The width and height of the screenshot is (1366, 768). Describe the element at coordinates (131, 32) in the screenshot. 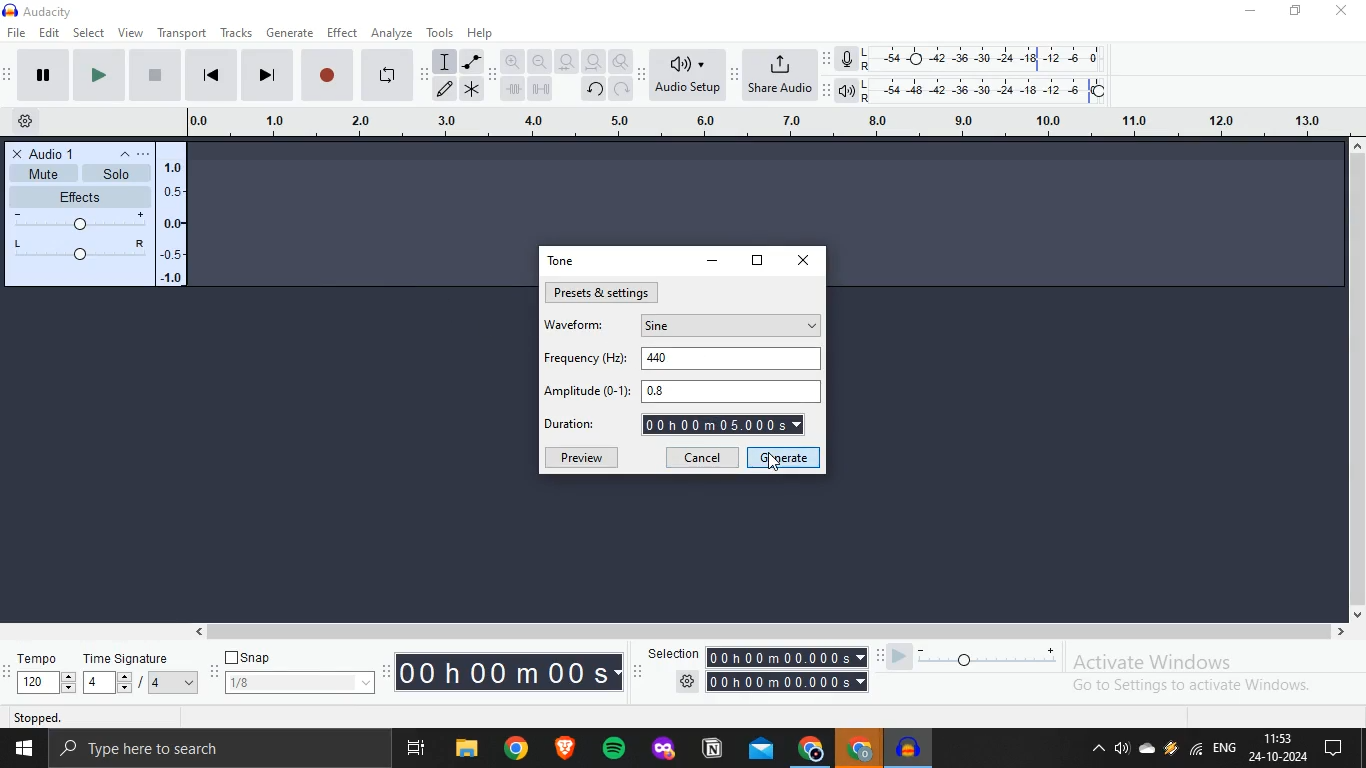

I see `View` at that location.